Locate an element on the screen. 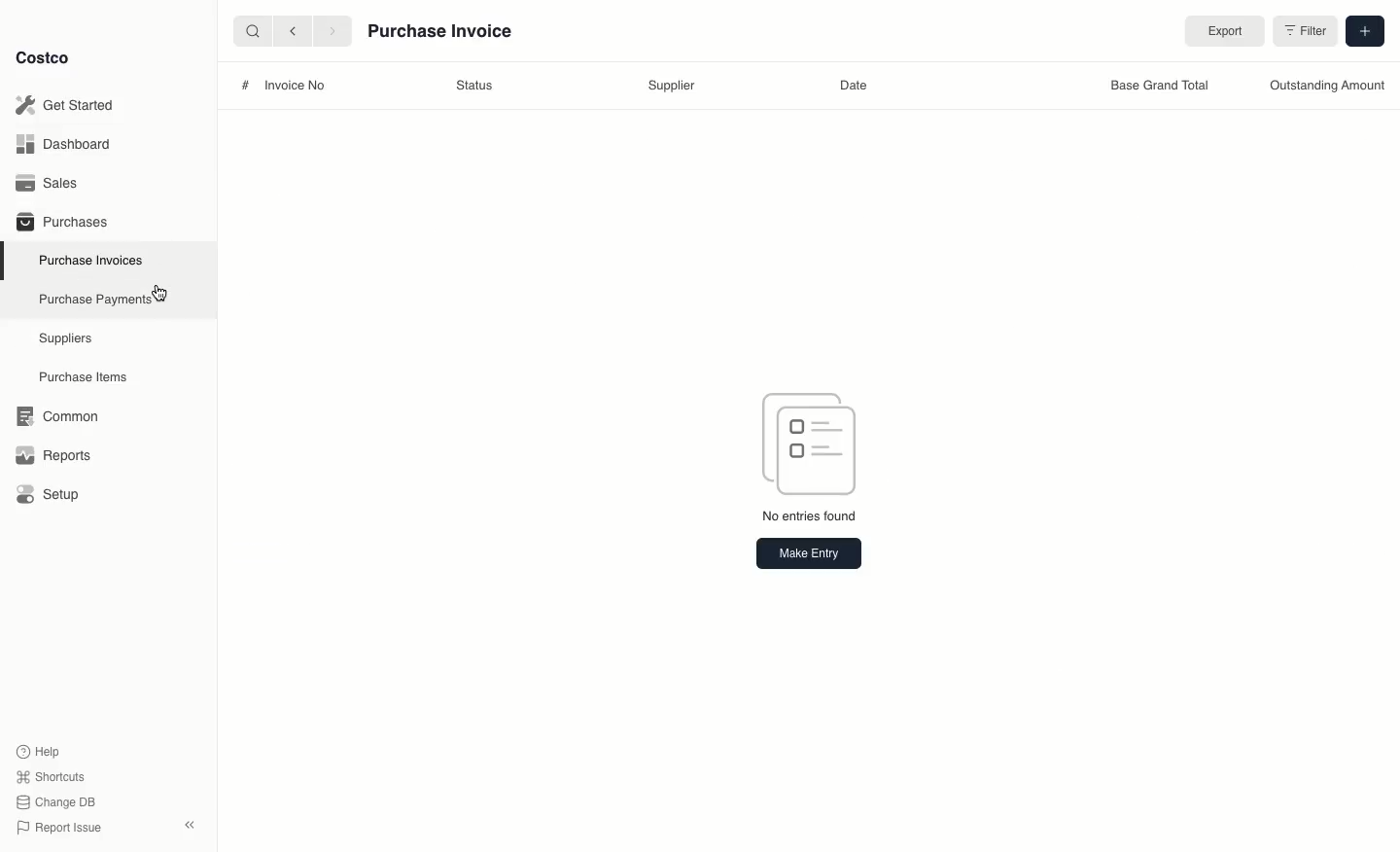  Outstanding Amount is located at coordinates (1326, 86).